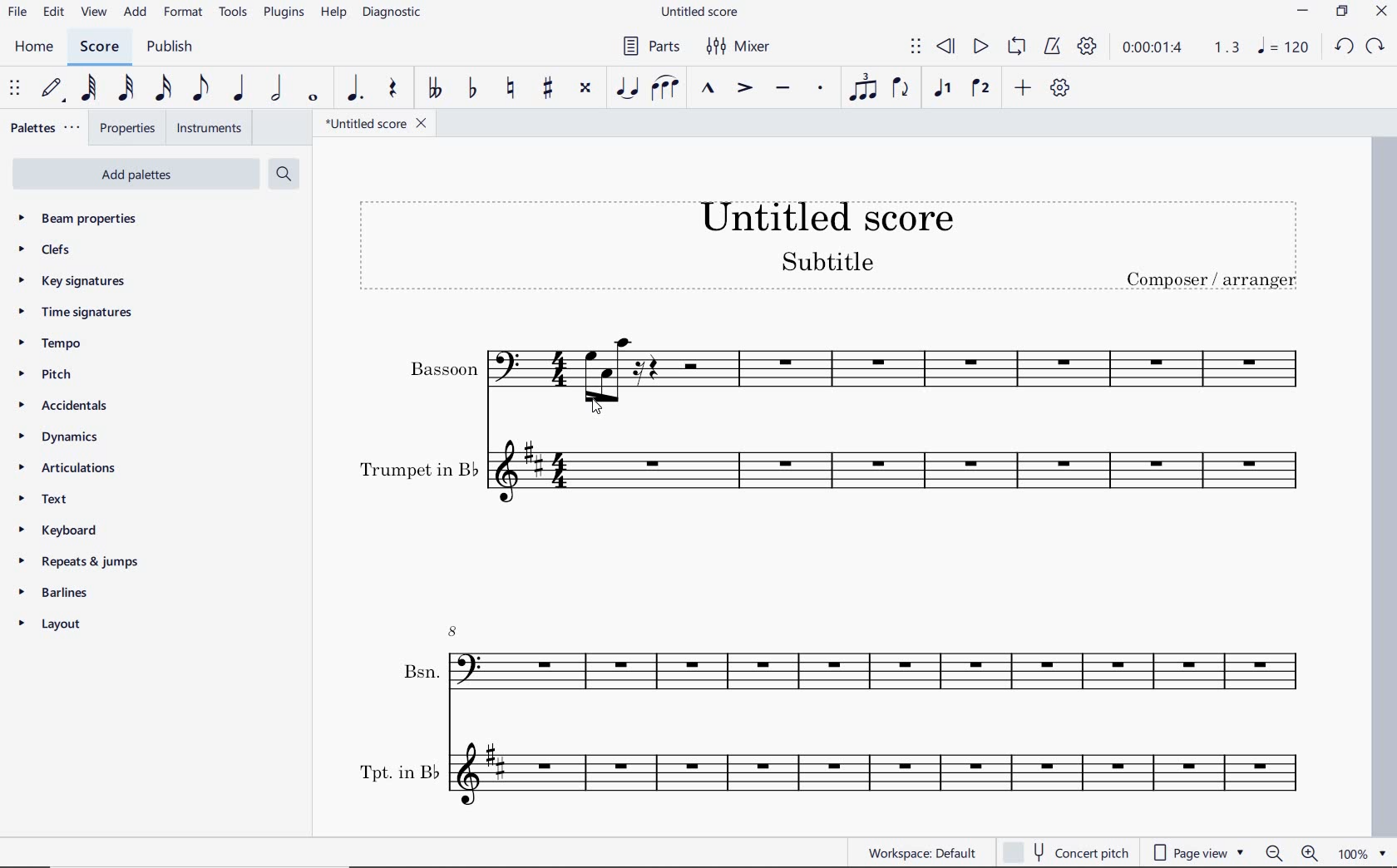  I want to click on articulations, so click(71, 468).